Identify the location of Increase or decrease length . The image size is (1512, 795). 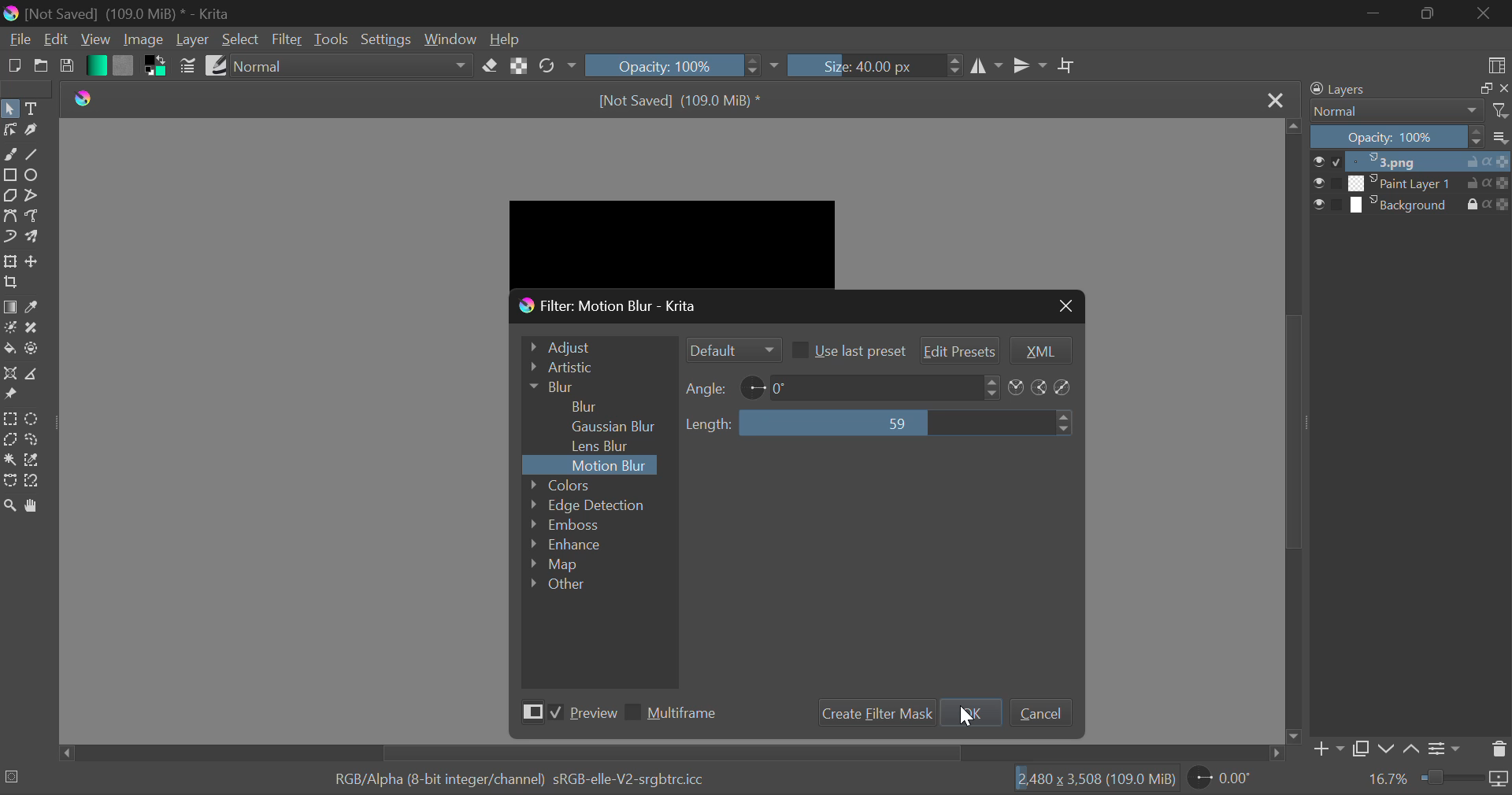
(1065, 423).